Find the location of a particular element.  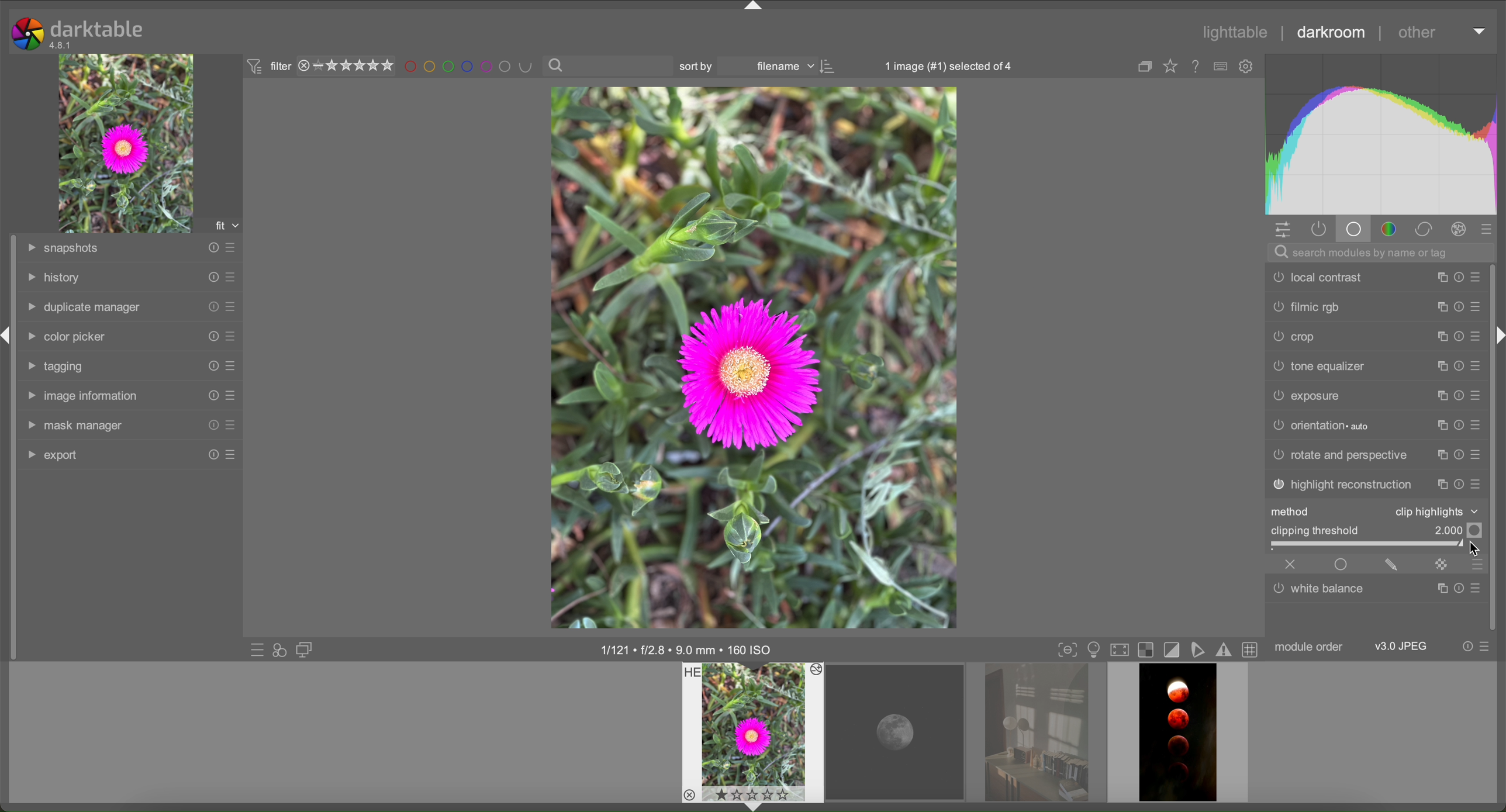

copy is located at coordinates (1438, 336).